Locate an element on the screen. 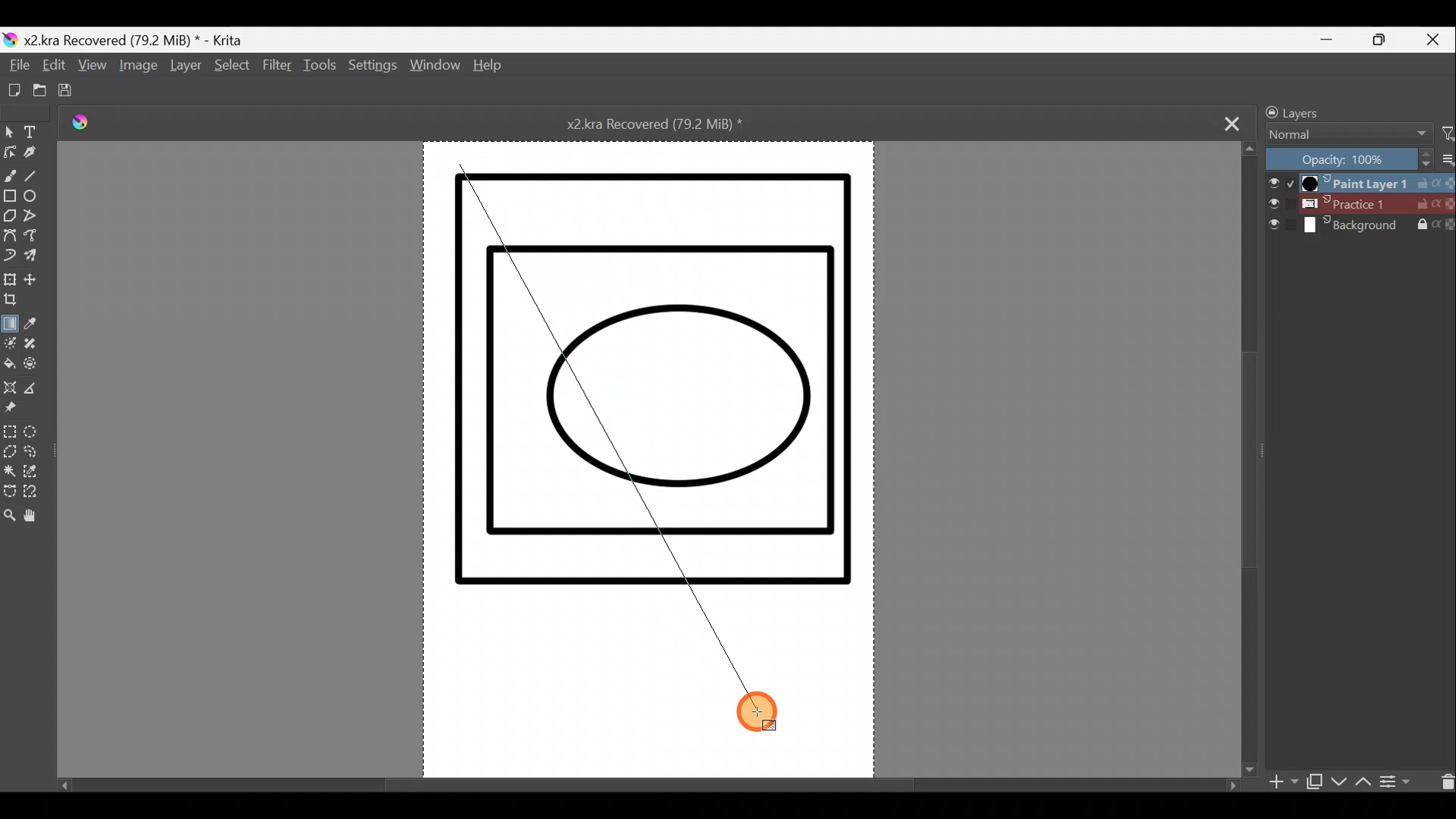 This screenshot has width=1456, height=819. Filter is located at coordinates (277, 73).